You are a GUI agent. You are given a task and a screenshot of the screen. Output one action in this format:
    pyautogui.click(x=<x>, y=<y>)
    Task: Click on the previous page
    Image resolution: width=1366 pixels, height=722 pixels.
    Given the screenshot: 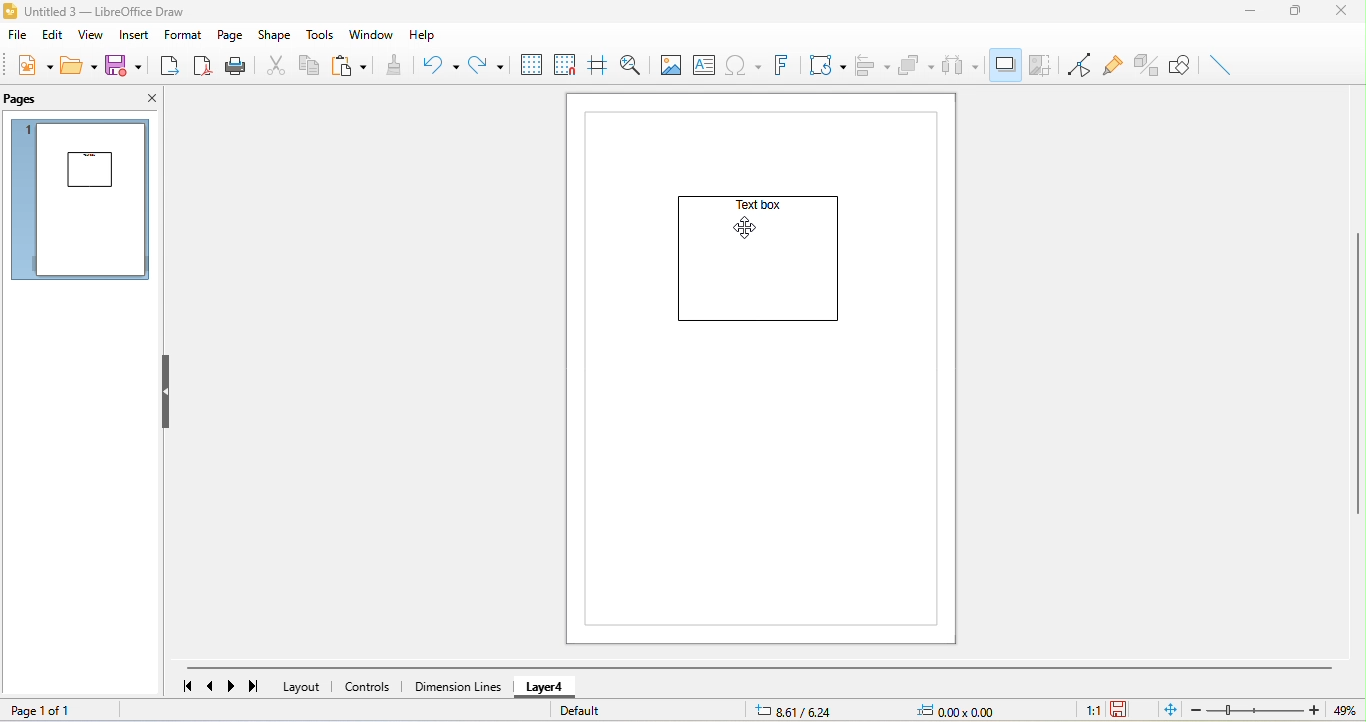 What is the action you would take?
    pyautogui.click(x=213, y=687)
    